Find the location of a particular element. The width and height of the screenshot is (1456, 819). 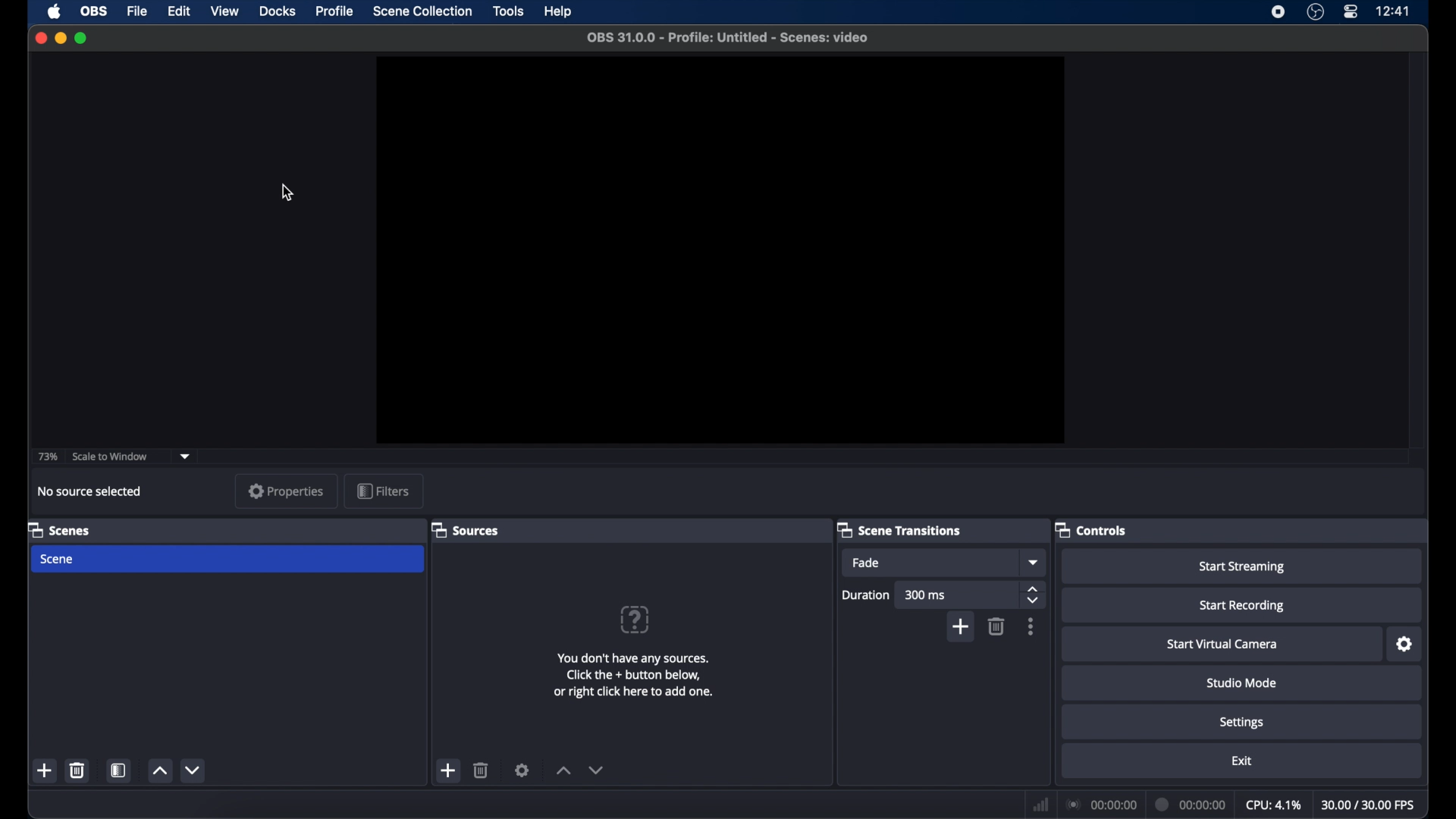

00:00:00 is located at coordinates (1101, 805).